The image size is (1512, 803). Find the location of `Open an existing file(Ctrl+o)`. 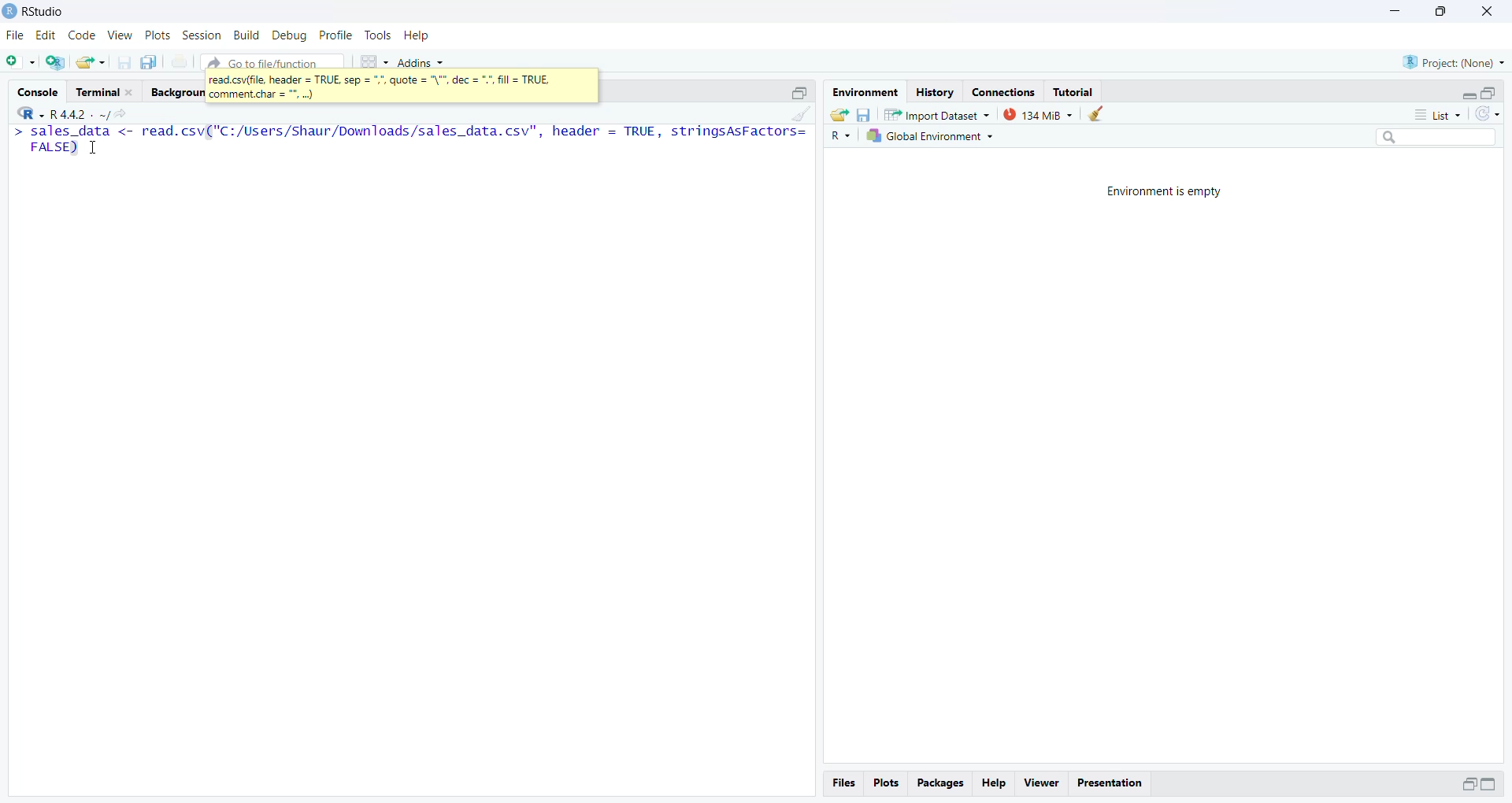

Open an existing file(Ctrl+o) is located at coordinates (93, 62).